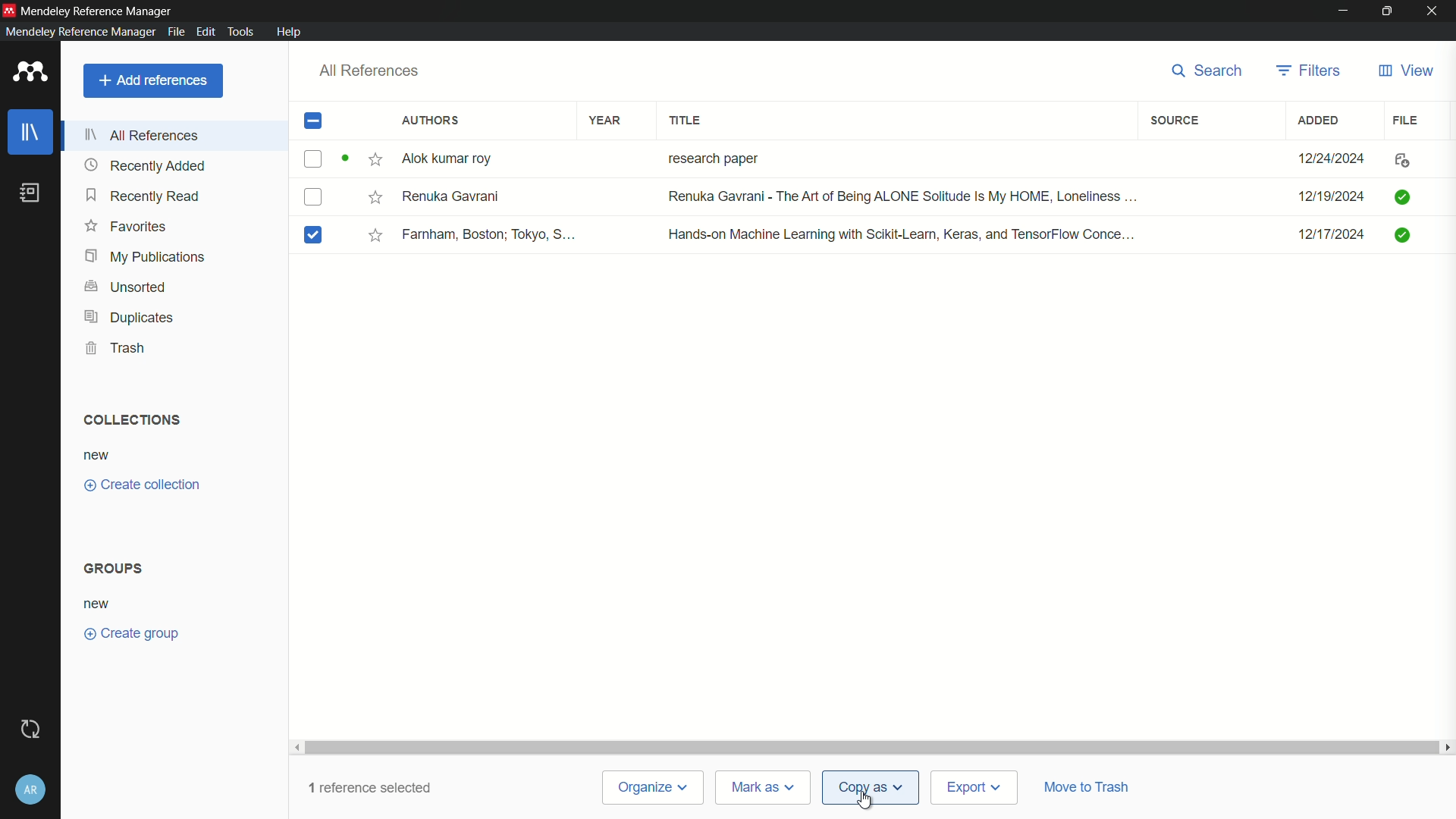  I want to click on favorites, so click(124, 227).